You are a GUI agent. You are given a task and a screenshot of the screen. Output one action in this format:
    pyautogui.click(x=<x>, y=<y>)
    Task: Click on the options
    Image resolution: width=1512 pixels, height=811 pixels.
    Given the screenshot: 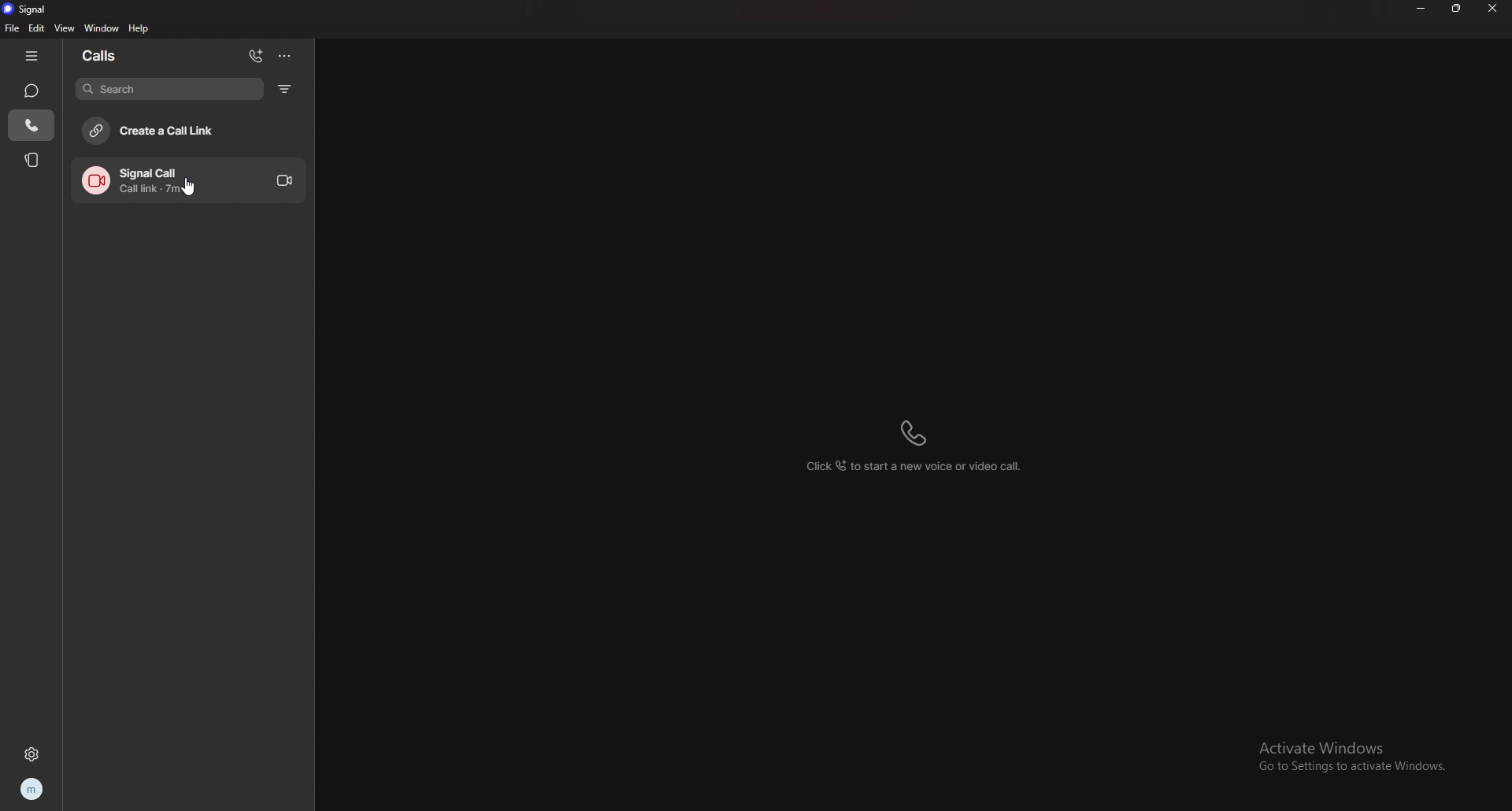 What is the action you would take?
    pyautogui.click(x=287, y=55)
    